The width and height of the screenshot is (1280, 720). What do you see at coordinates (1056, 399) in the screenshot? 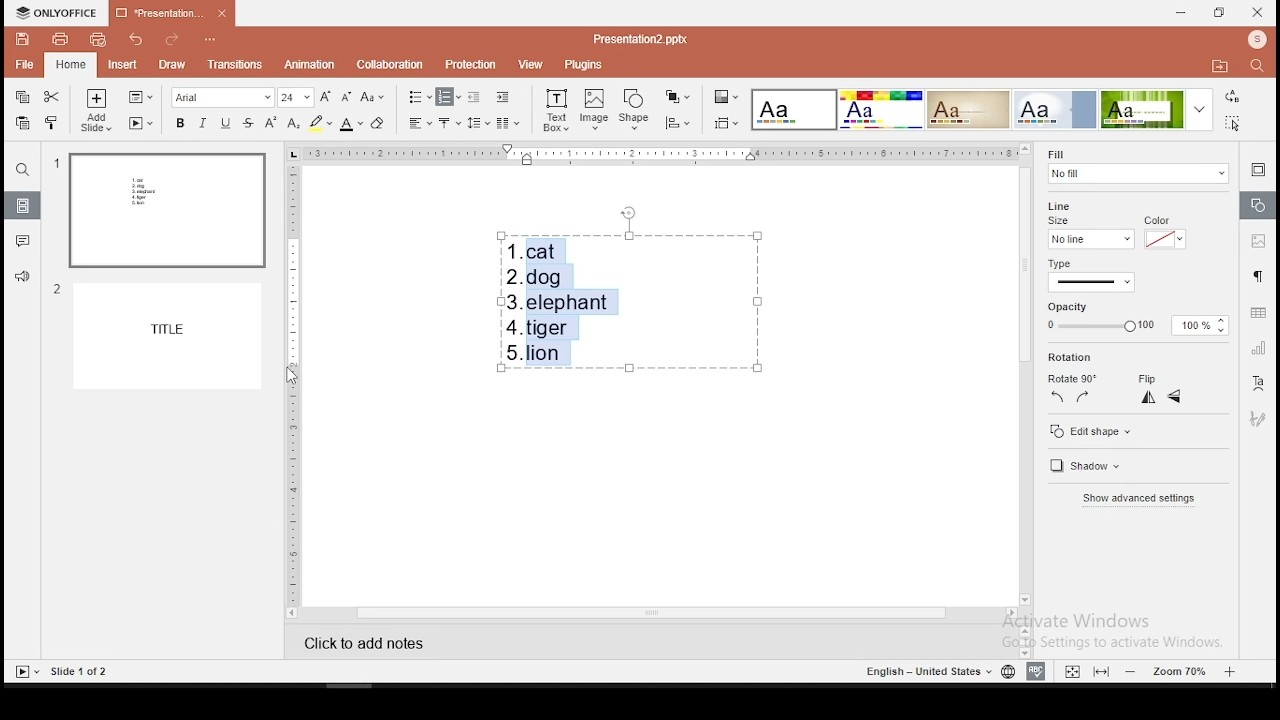
I see `left` at bounding box center [1056, 399].